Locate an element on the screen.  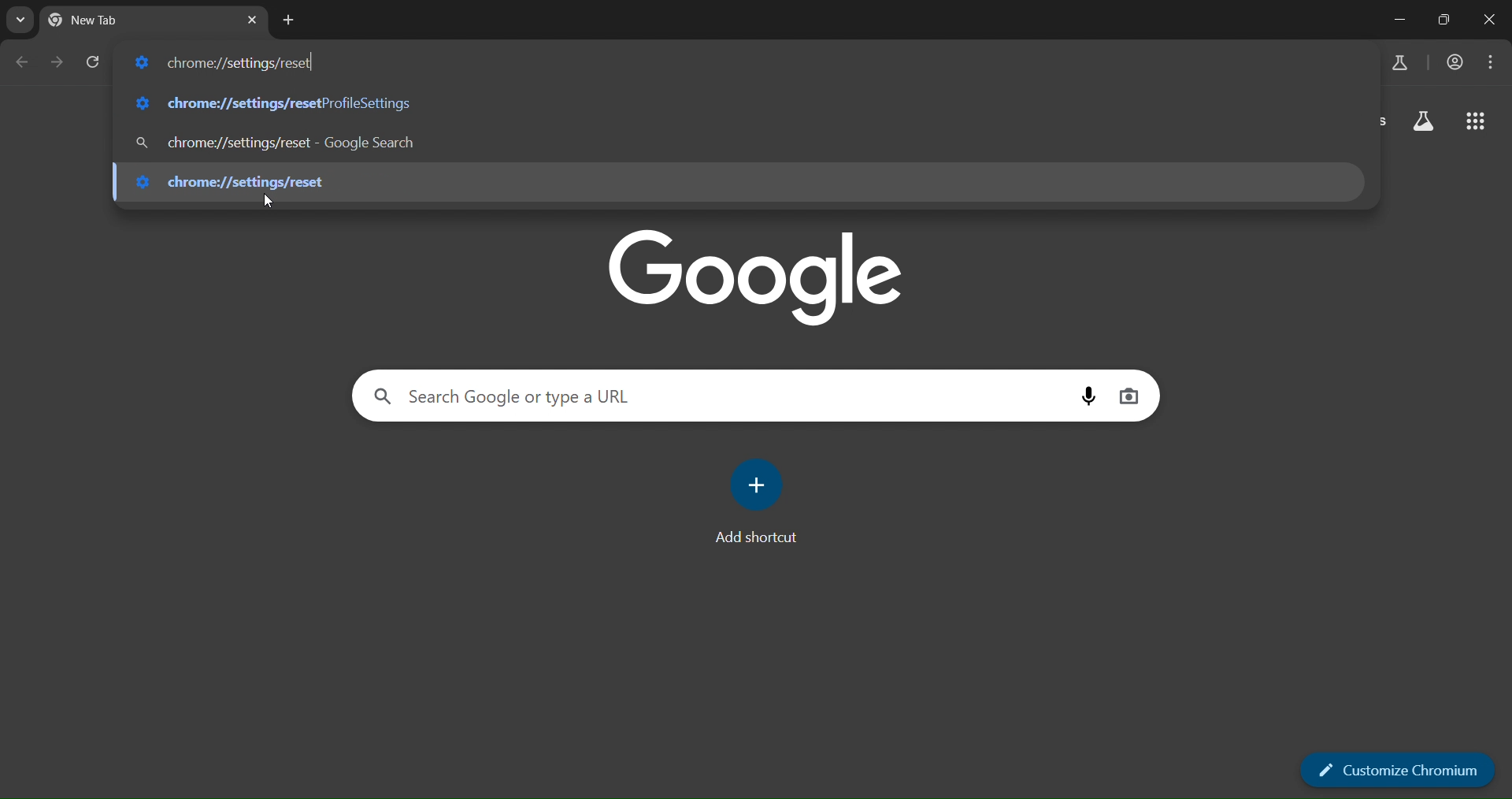
current tab is located at coordinates (107, 20).